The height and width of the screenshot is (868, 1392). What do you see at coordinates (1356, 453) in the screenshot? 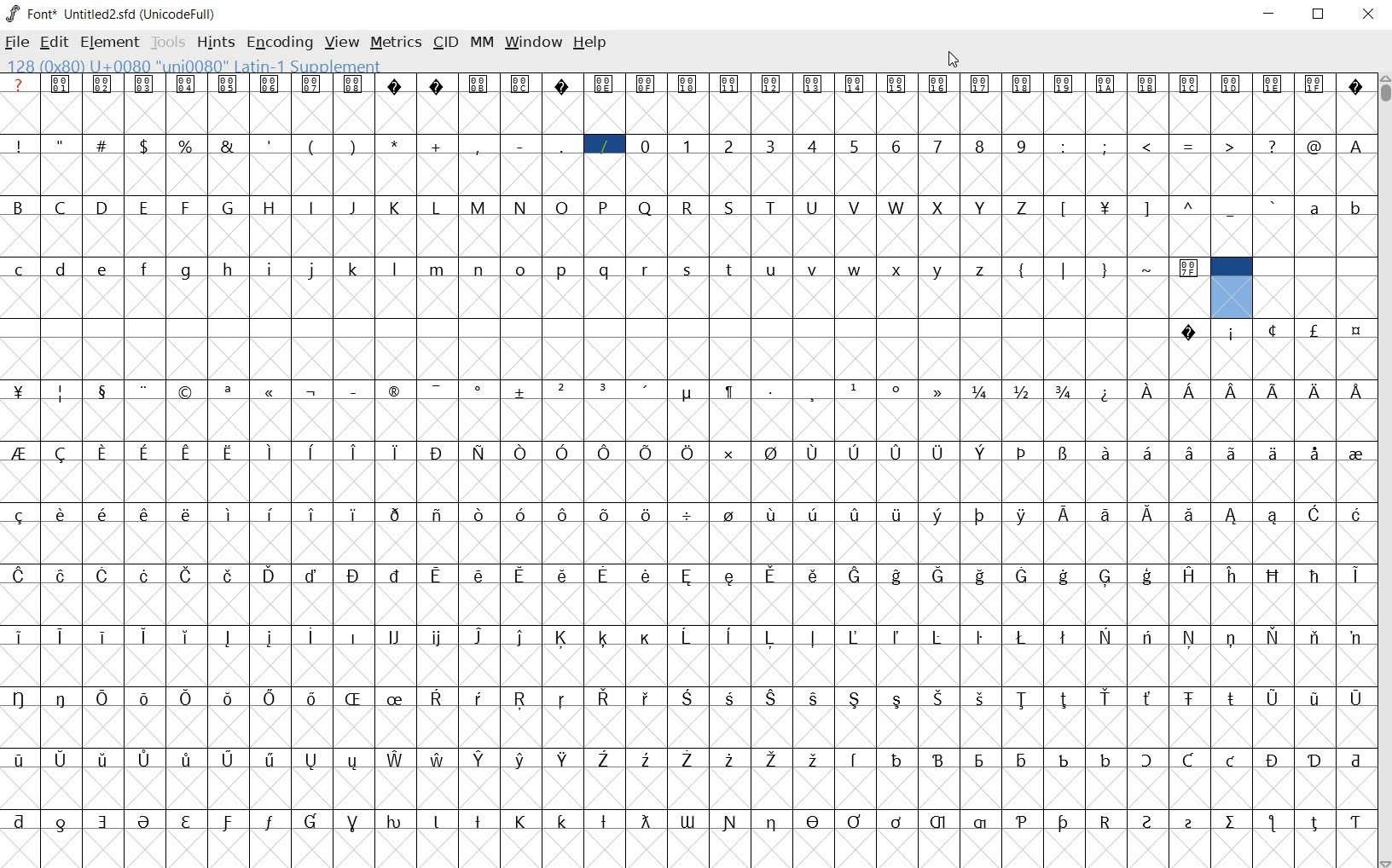
I see `Symbol` at bounding box center [1356, 453].